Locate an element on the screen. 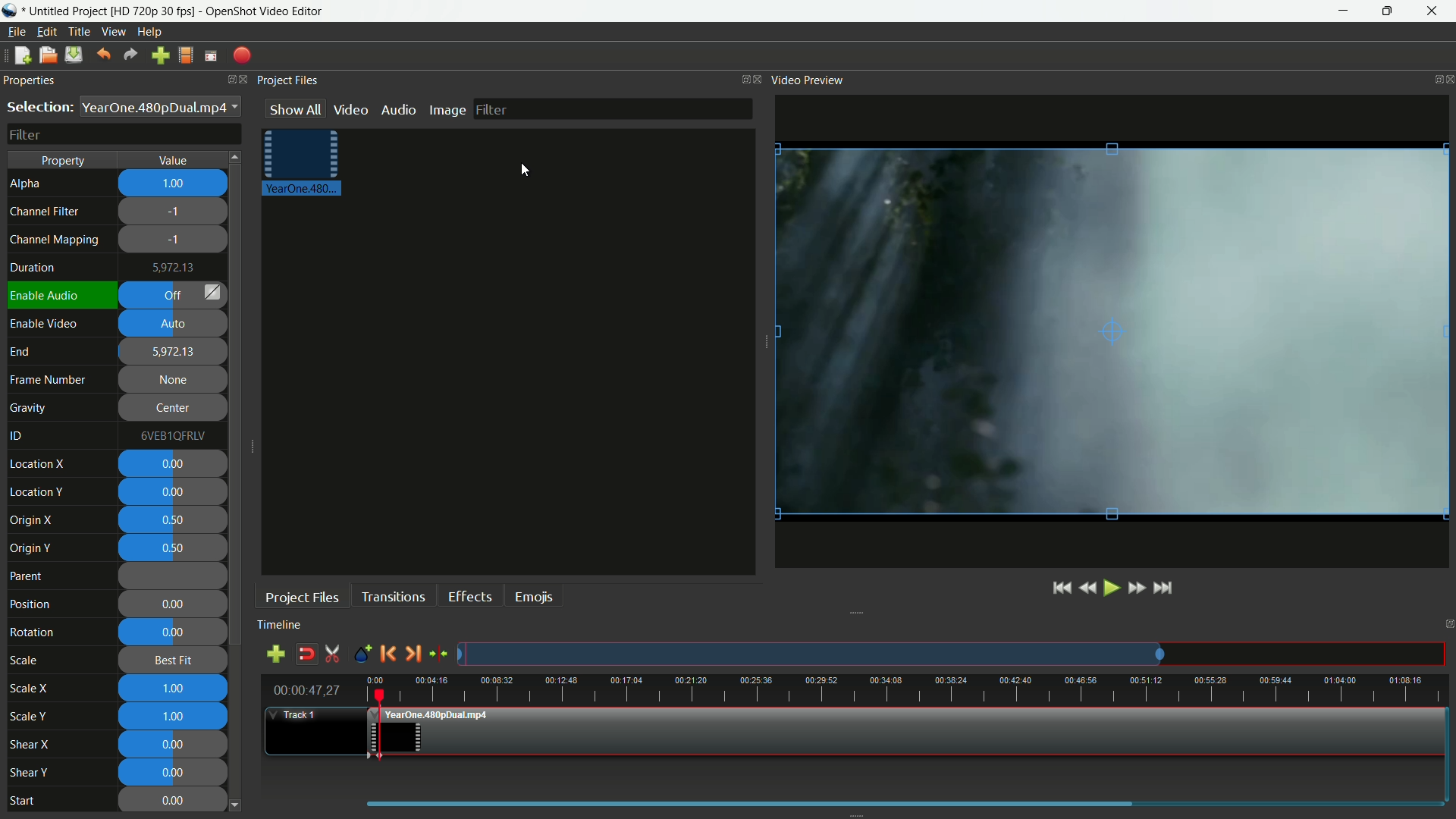  next marker is located at coordinates (416, 651).